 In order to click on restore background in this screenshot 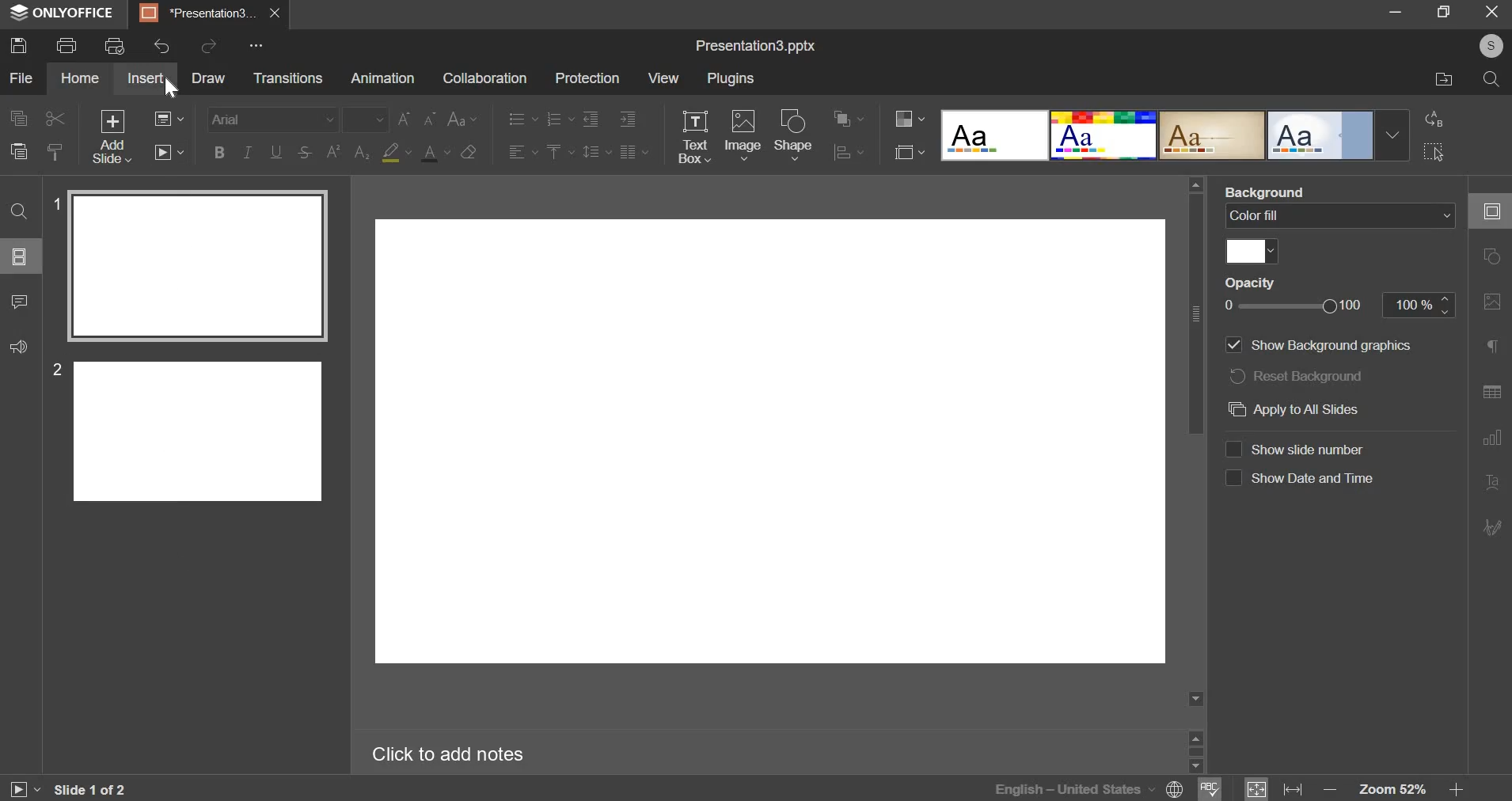, I will do `click(1297, 374)`.